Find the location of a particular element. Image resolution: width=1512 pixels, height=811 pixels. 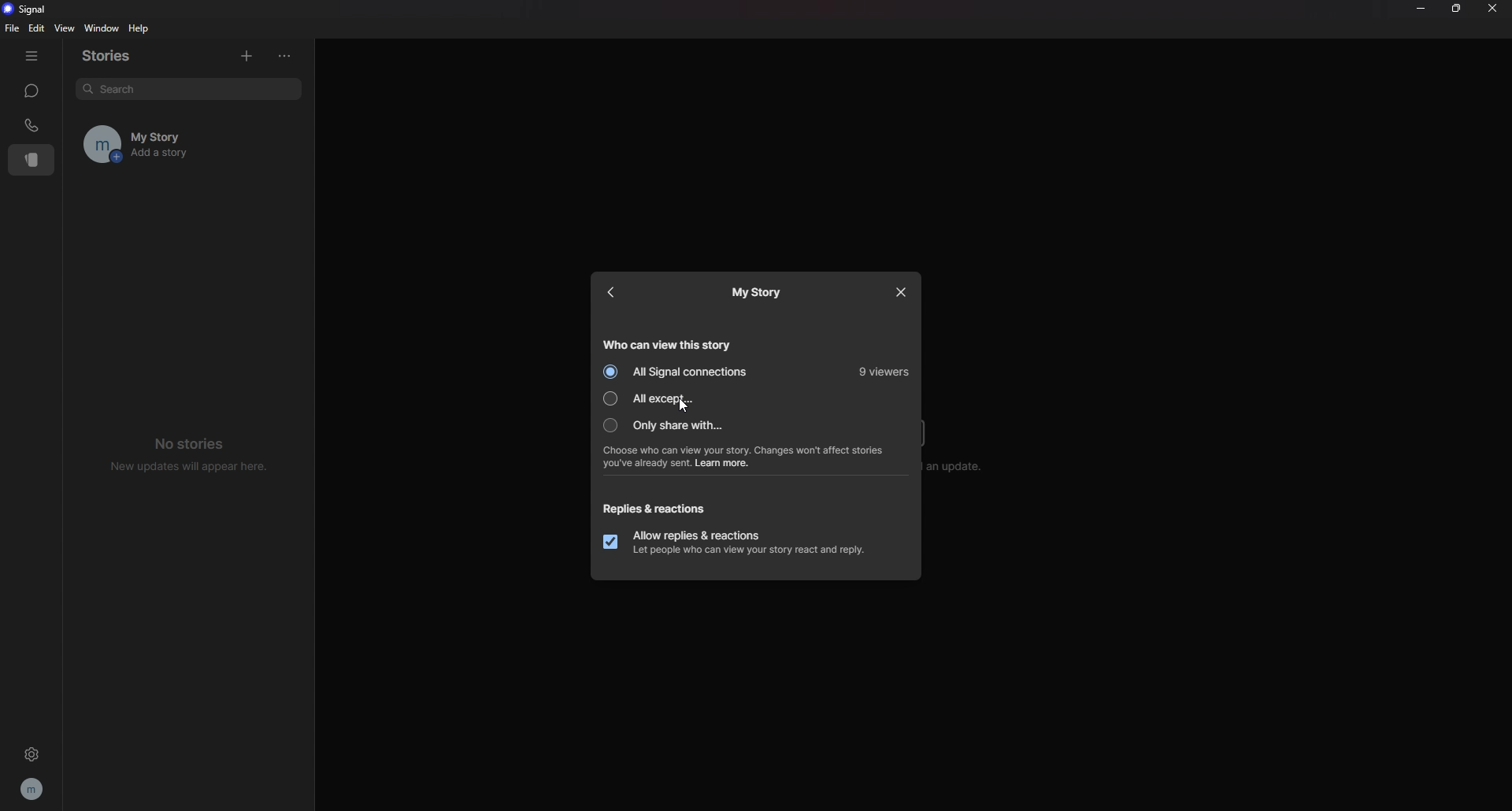

options is located at coordinates (289, 56).